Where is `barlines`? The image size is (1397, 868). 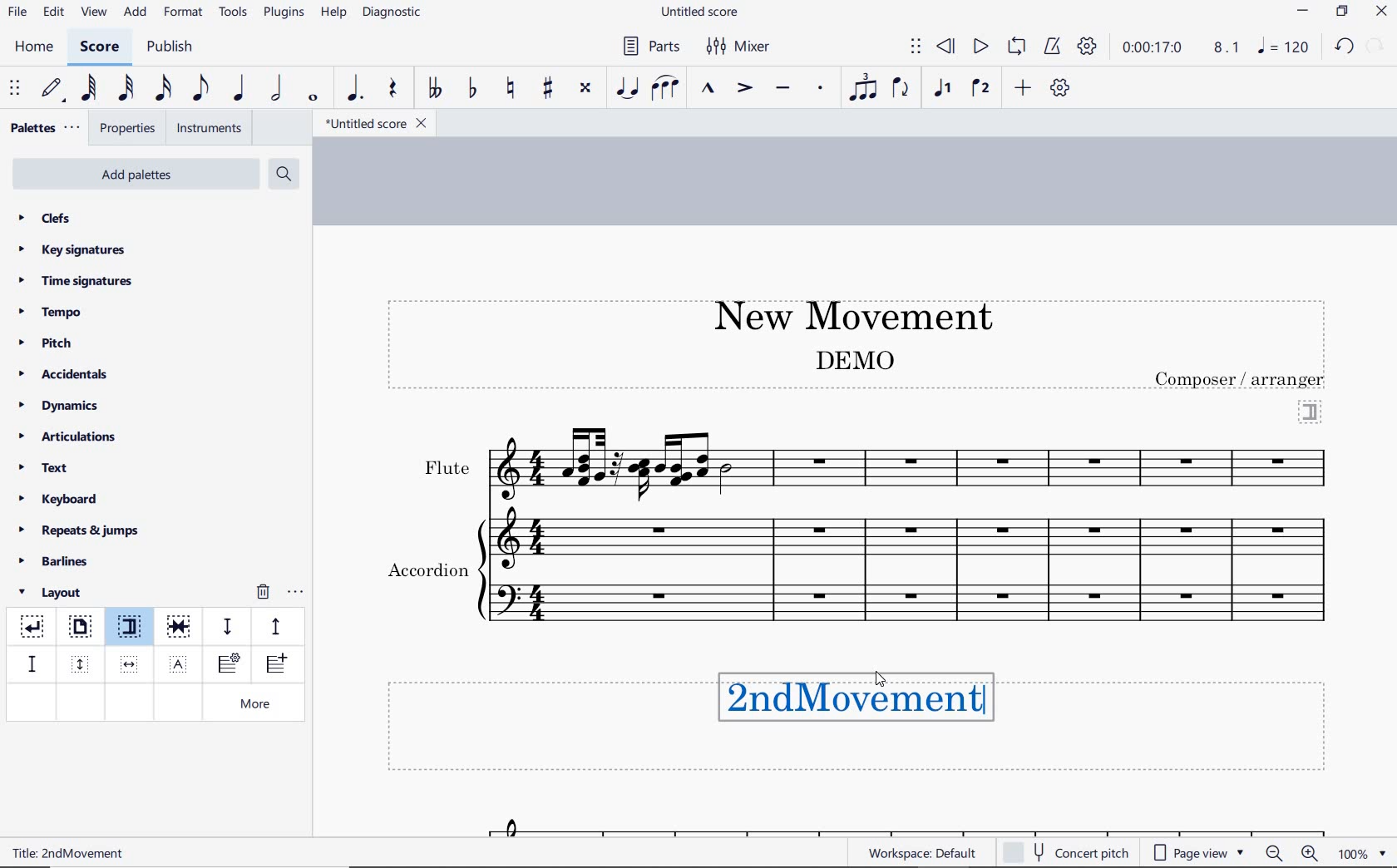
barlines is located at coordinates (59, 562).